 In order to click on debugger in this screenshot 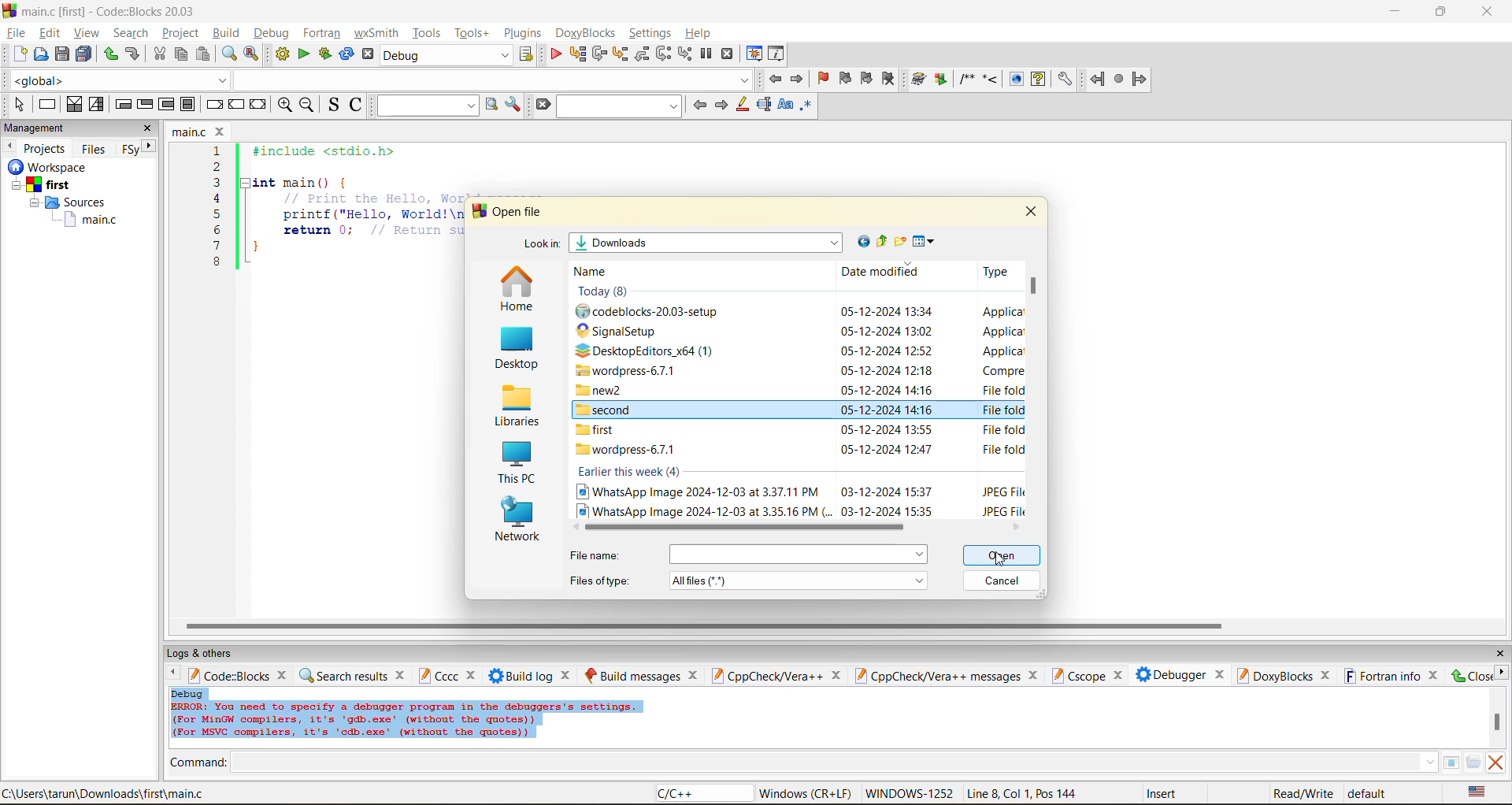, I will do `click(1170, 674)`.